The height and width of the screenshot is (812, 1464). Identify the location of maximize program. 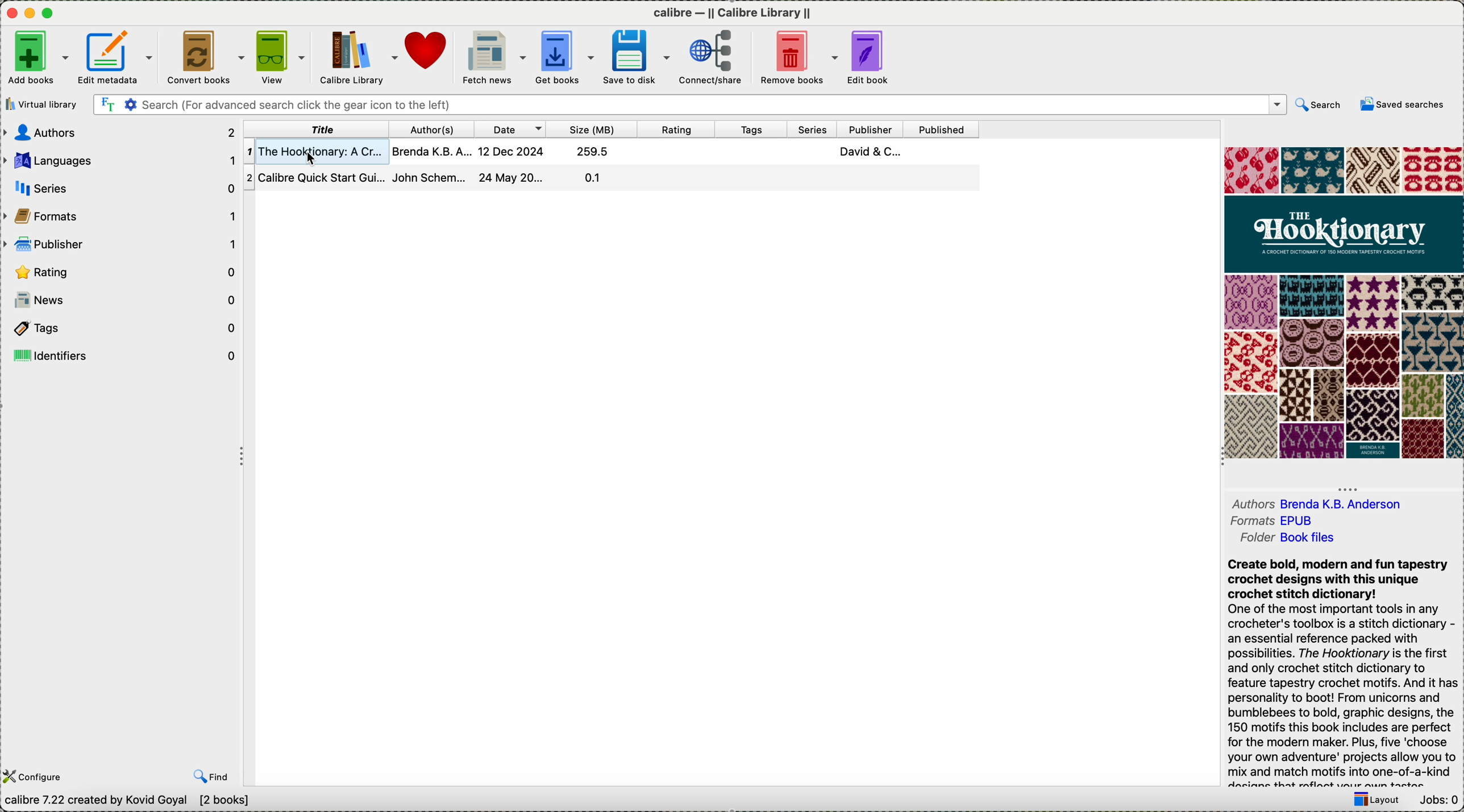
(48, 14).